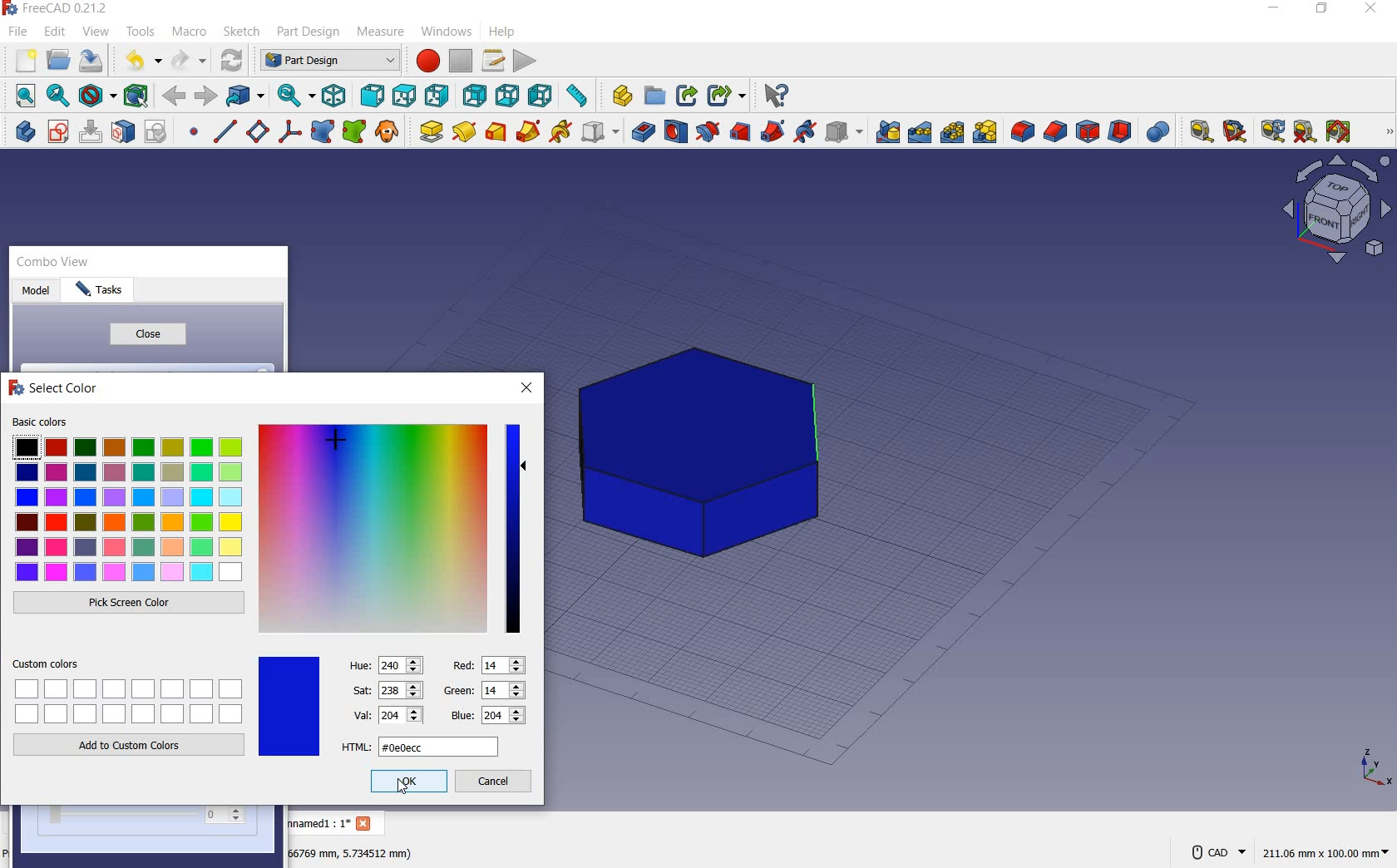 The height and width of the screenshot is (868, 1397). Describe the element at coordinates (382, 31) in the screenshot. I see `measure` at that location.